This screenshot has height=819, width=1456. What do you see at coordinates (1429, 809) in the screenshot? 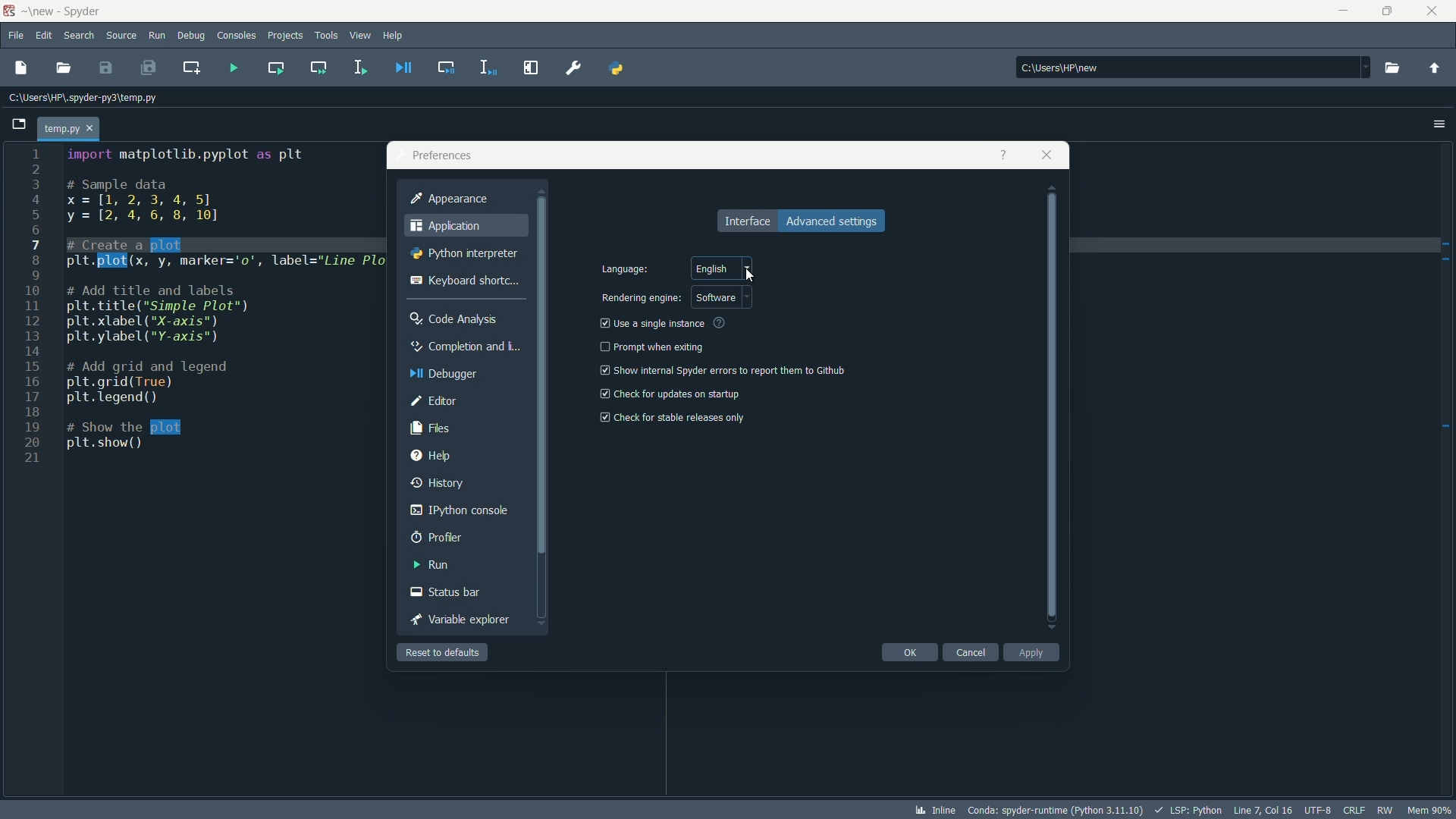
I see `memory usage` at bounding box center [1429, 809].